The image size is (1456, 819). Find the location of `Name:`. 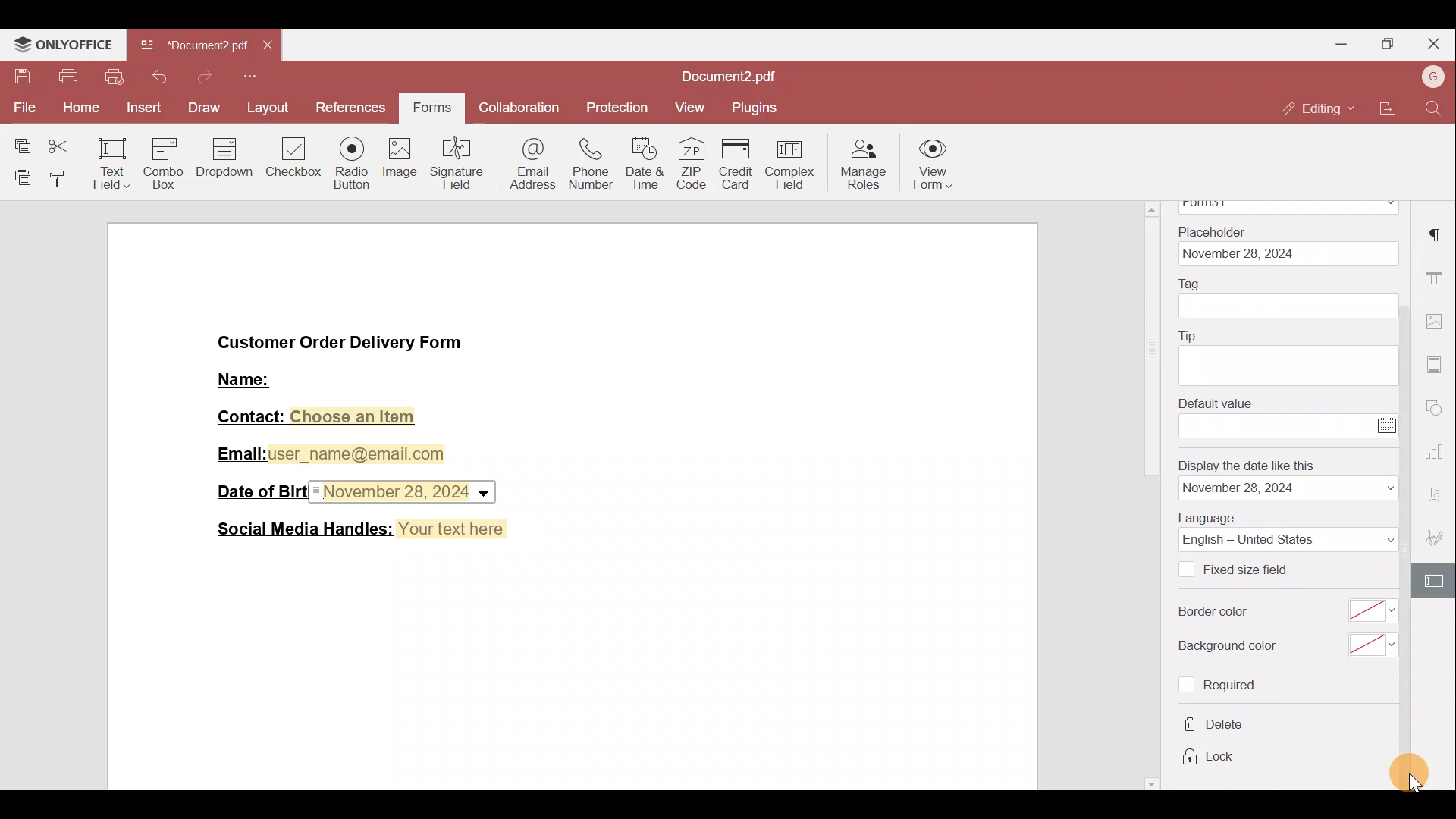

Name: is located at coordinates (247, 378).